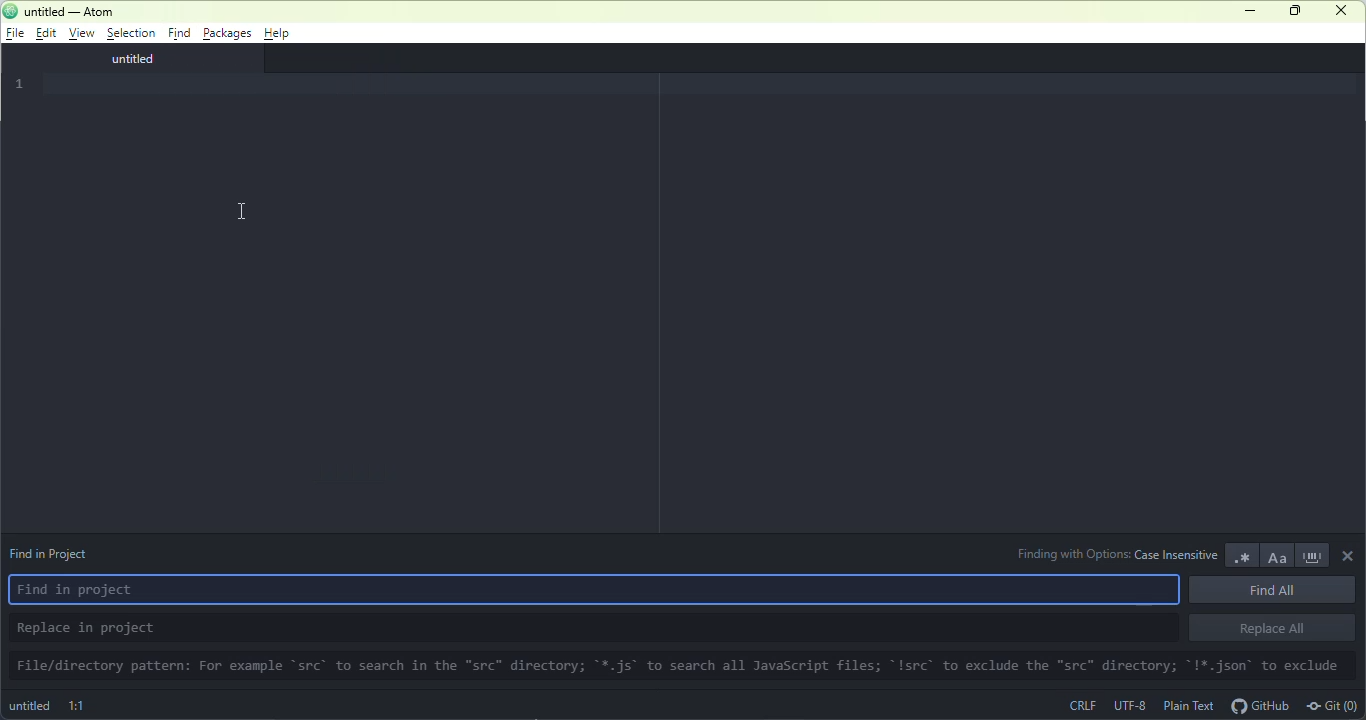 This screenshot has height=720, width=1366. What do you see at coordinates (1251, 11) in the screenshot?
I see `minimize` at bounding box center [1251, 11].